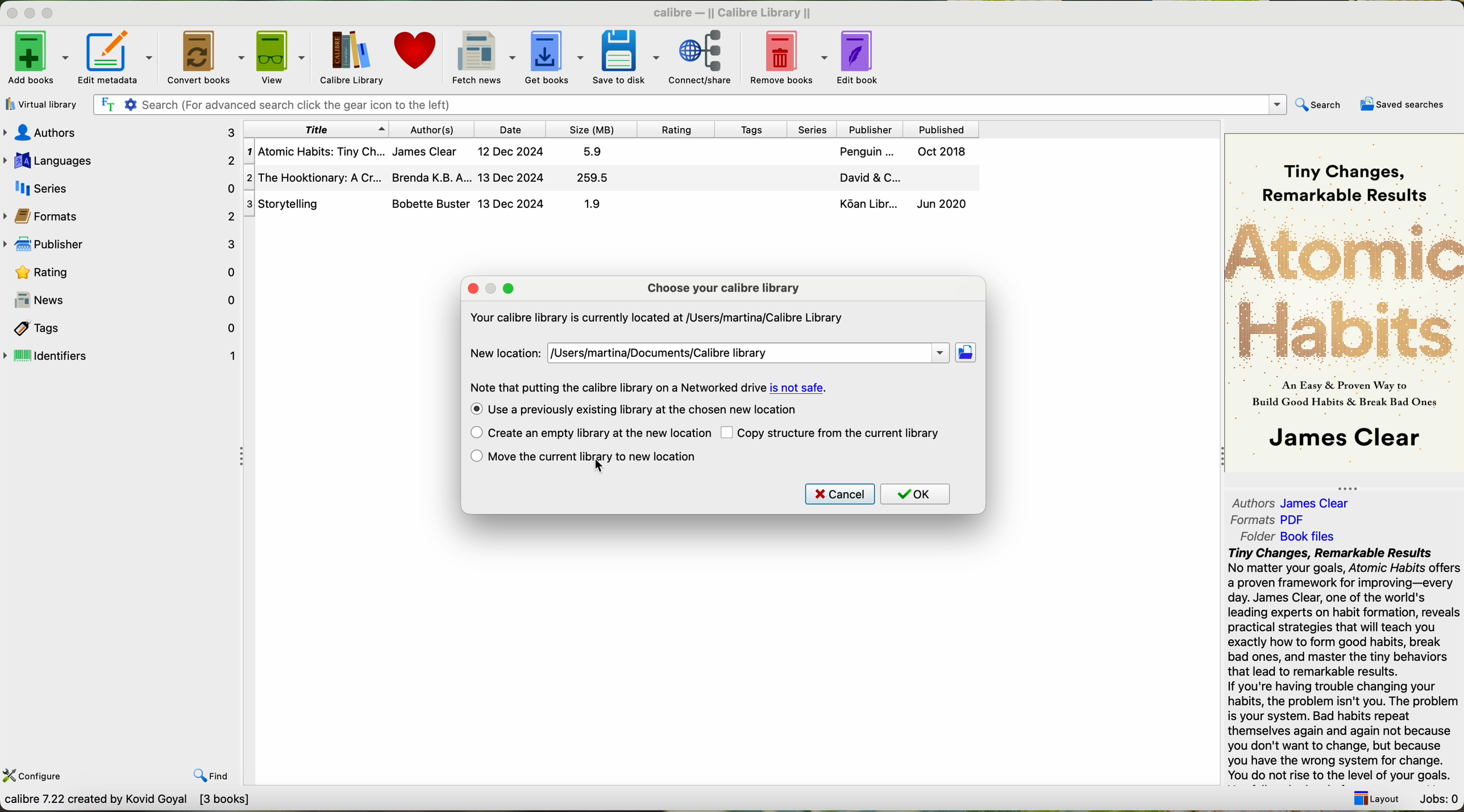 This screenshot has height=812, width=1464. Describe the element at coordinates (121, 328) in the screenshot. I see `tags` at that location.